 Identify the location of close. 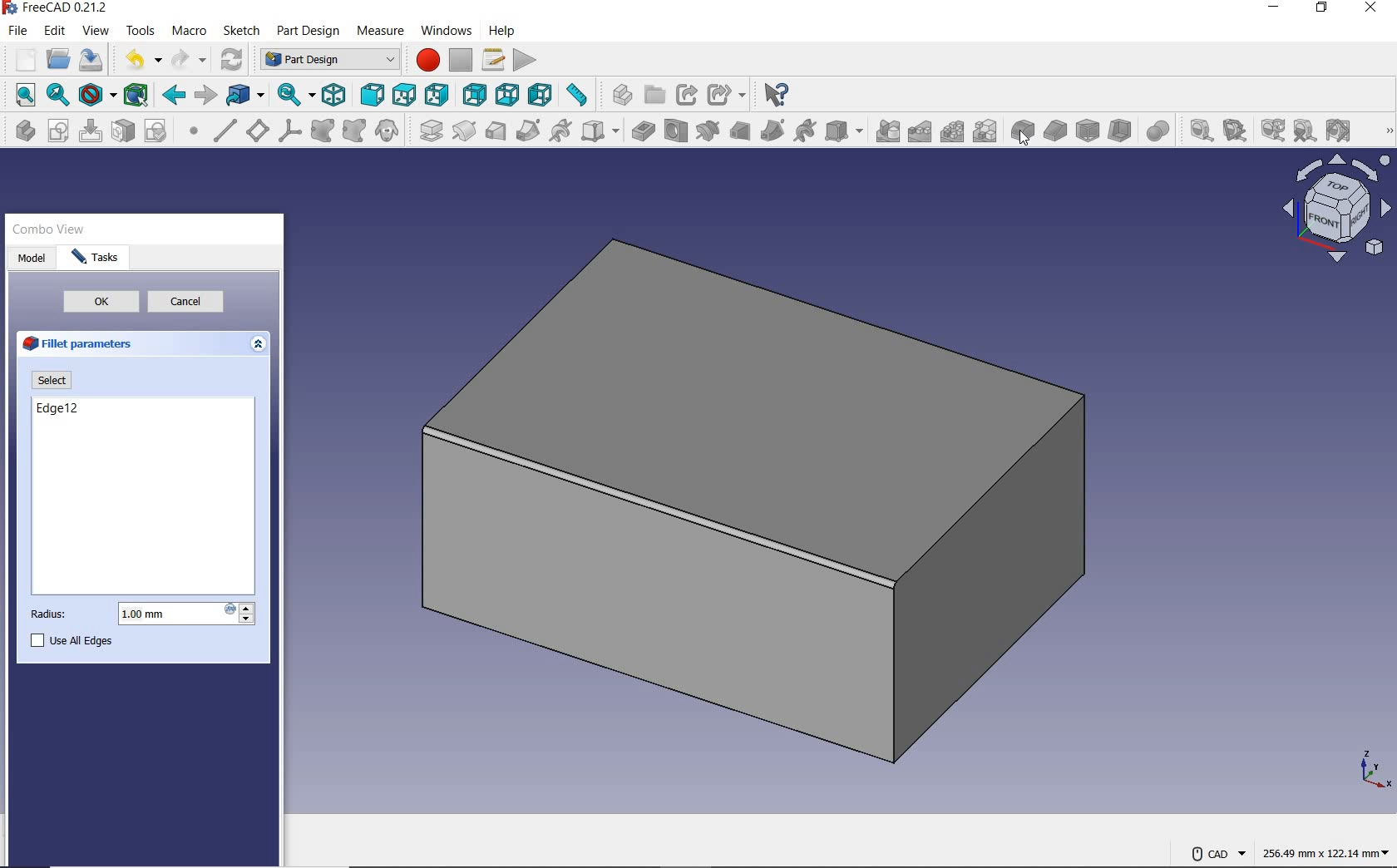
(1371, 7).